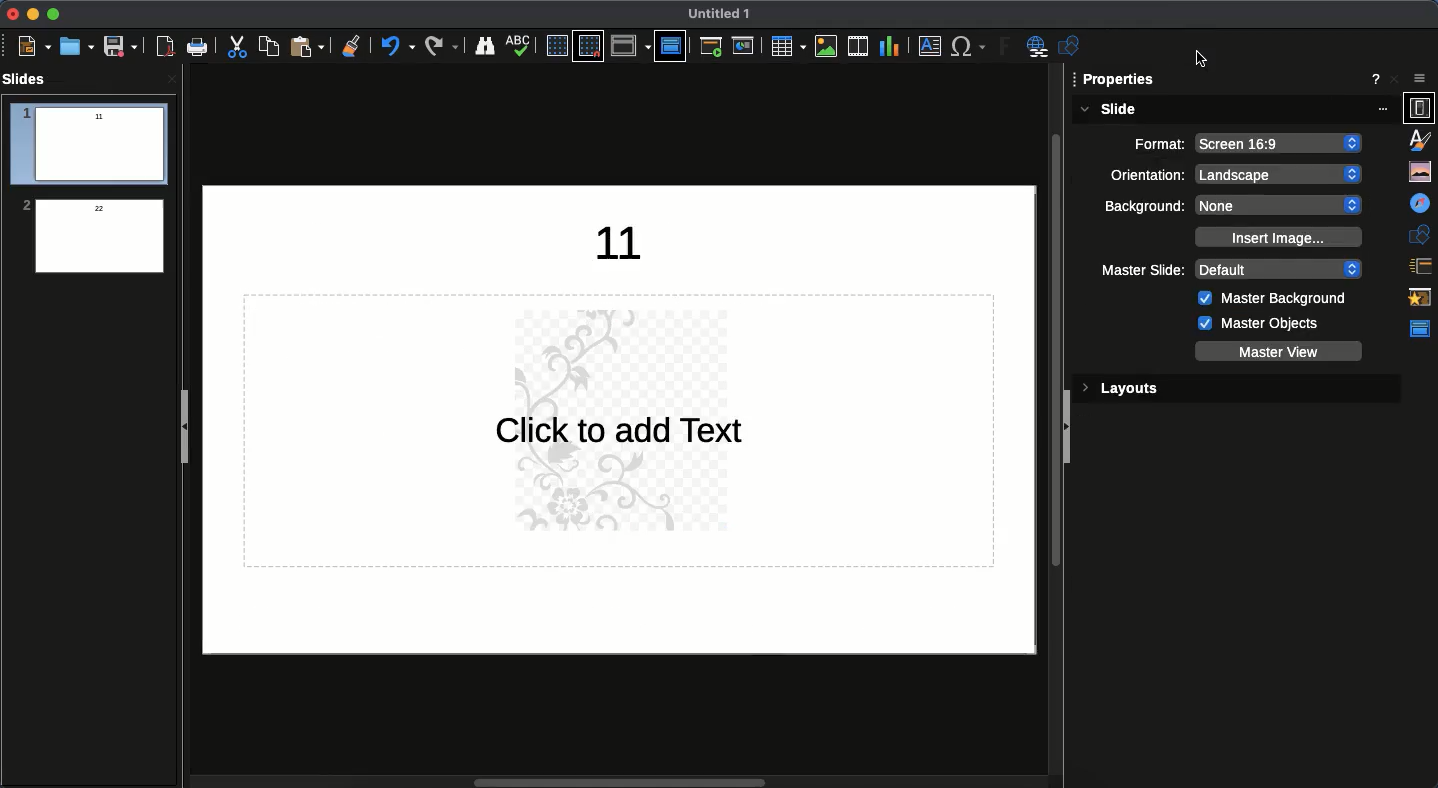 This screenshot has width=1438, height=788. Describe the element at coordinates (927, 47) in the screenshot. I see `Textbox` at that location.